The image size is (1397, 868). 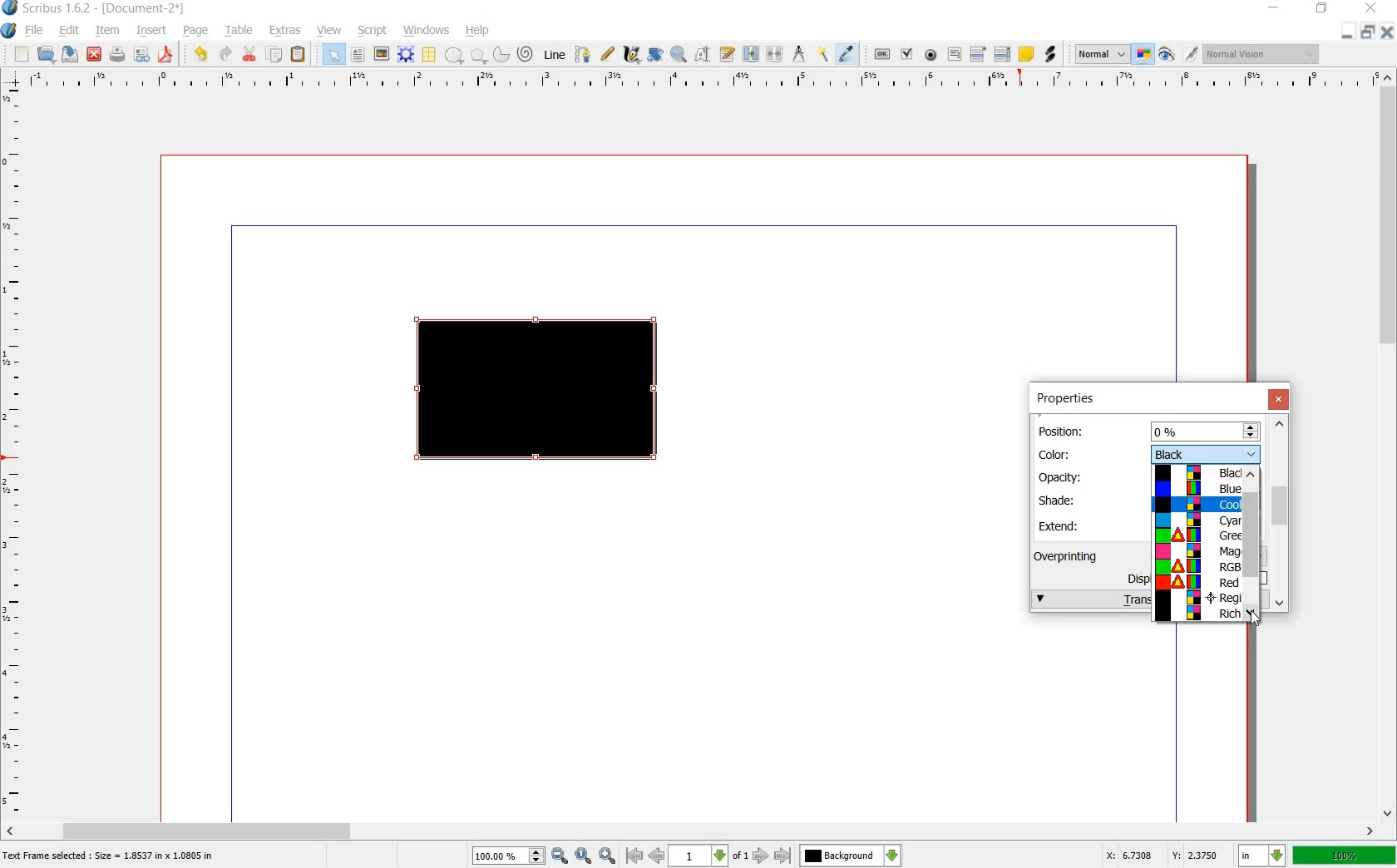 What do you see at coordinates (1205, 453) in the screenshot?
I see `black` at bounding box center [1205, 453].